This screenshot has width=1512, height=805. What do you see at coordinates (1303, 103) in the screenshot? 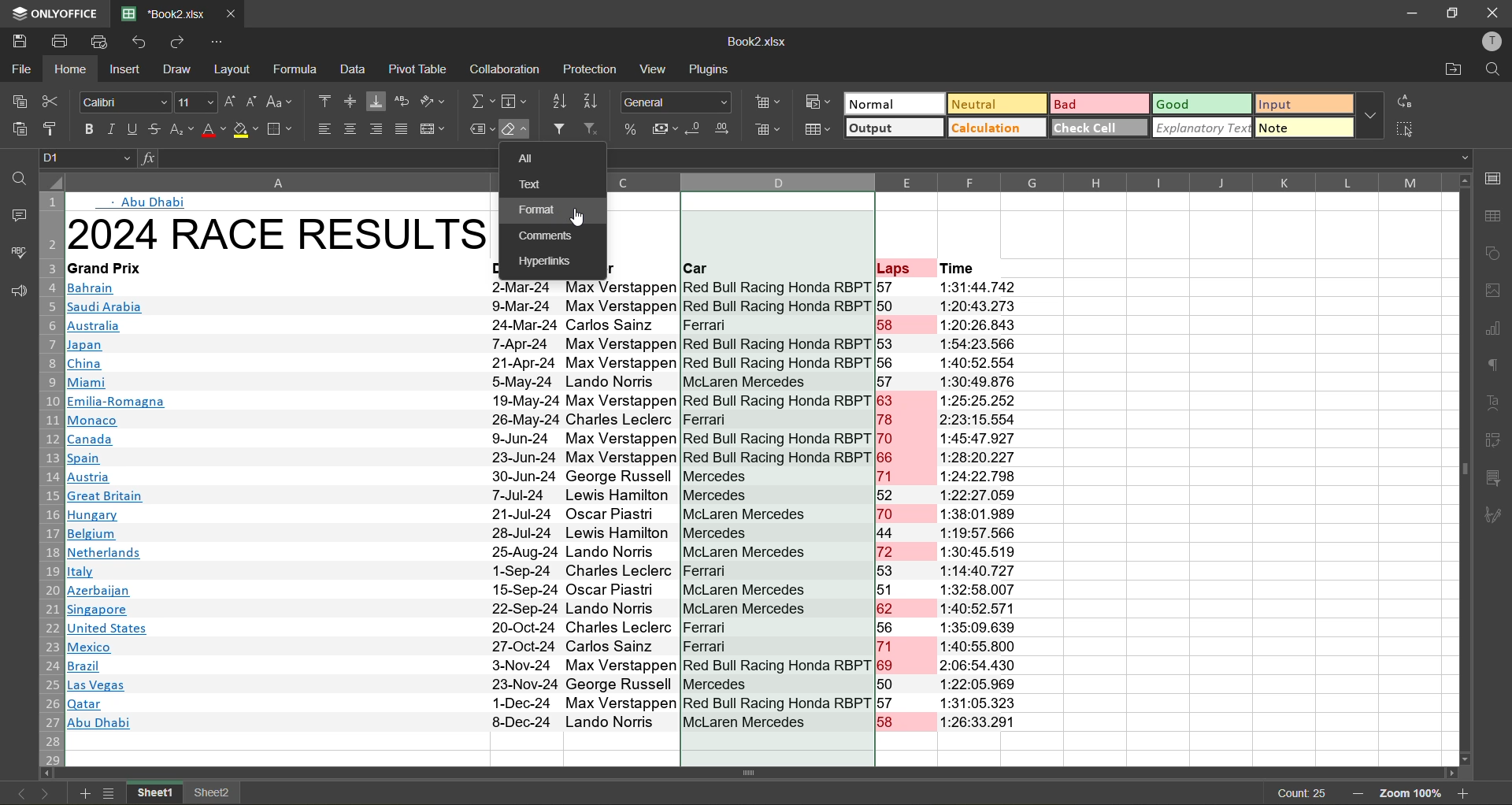
I see `input` at bounding box center [1303, 103].